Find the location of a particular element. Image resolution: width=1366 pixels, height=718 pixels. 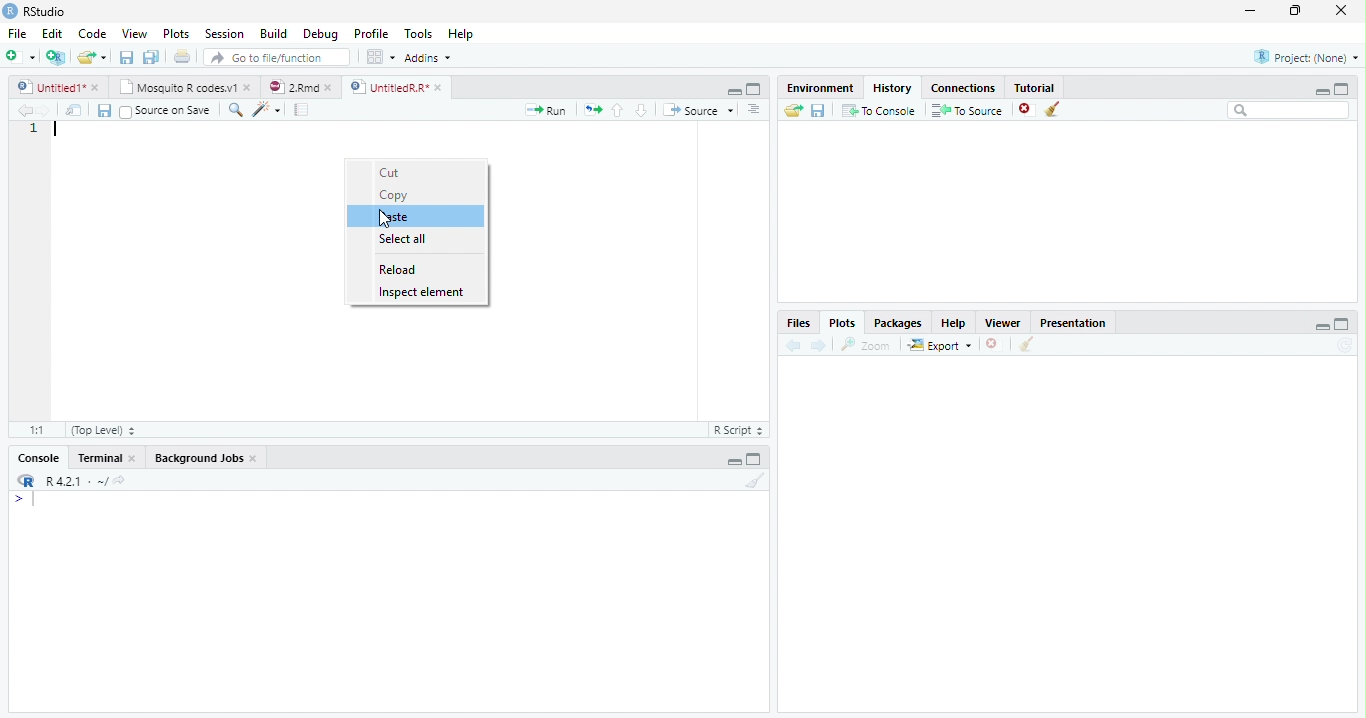

Packages is located at coordinates (899, 324).